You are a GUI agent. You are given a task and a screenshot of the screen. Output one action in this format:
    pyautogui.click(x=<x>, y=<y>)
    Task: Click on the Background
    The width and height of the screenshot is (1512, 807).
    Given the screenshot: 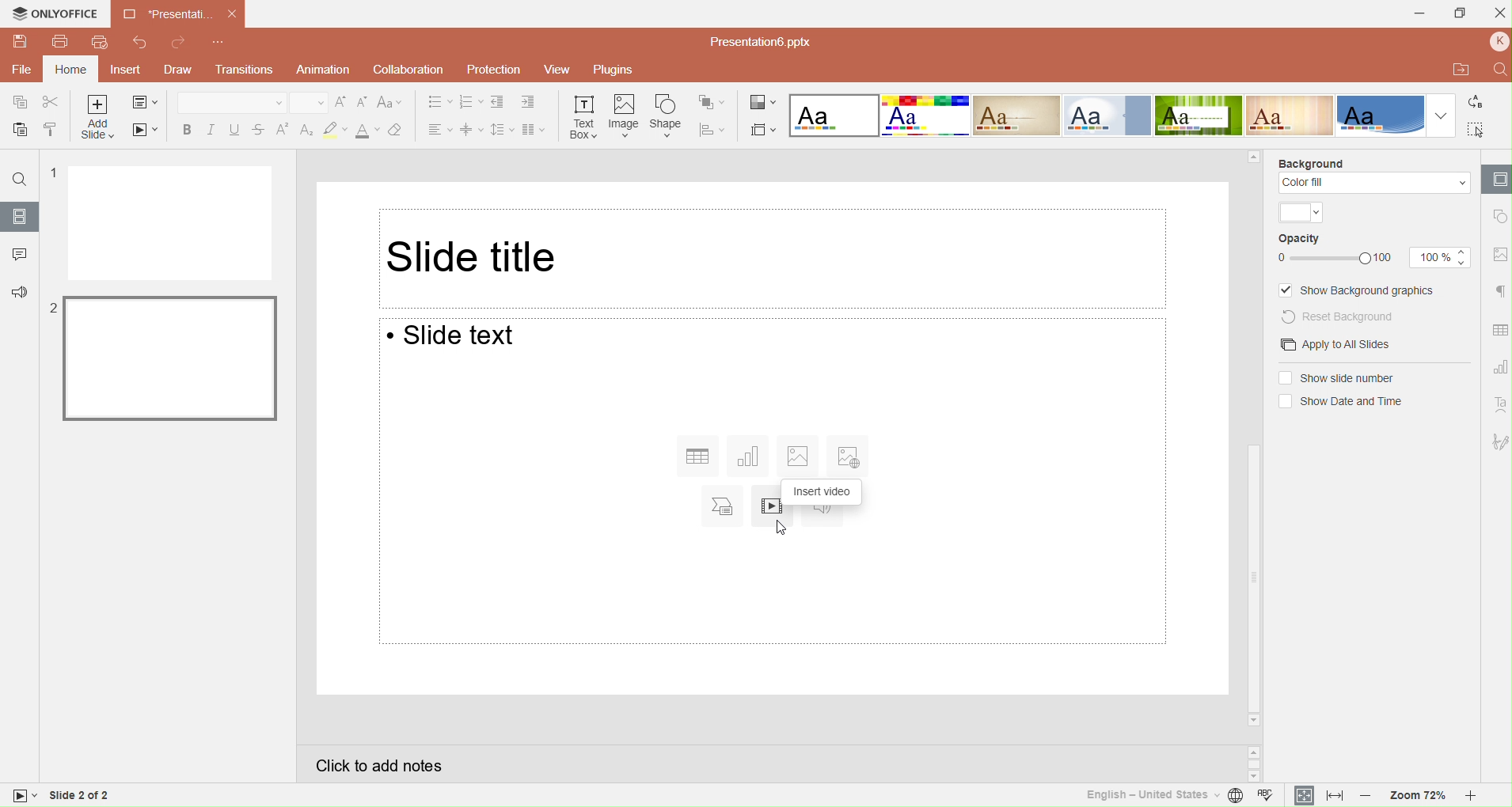 What is the action you would take?
    pyautogui.click(x=1315, y=163)
    